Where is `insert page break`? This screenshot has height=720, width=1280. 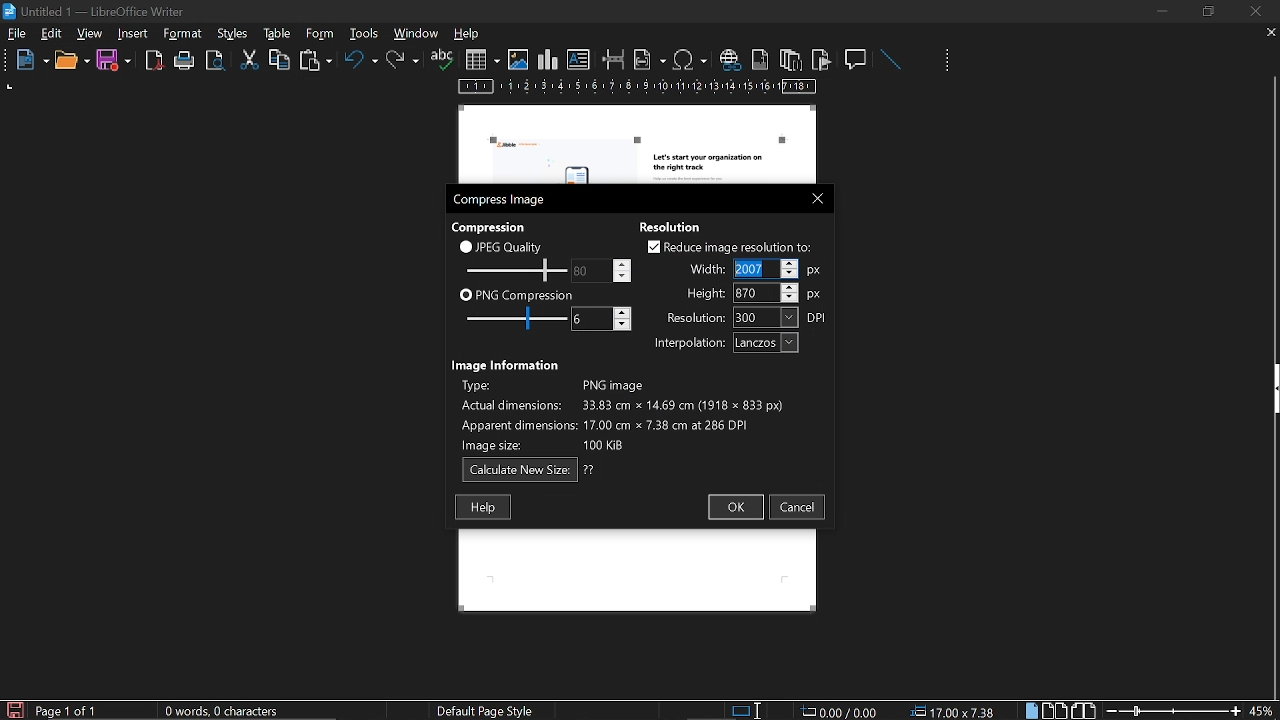 insert page break is located at coordinates (614, 60).